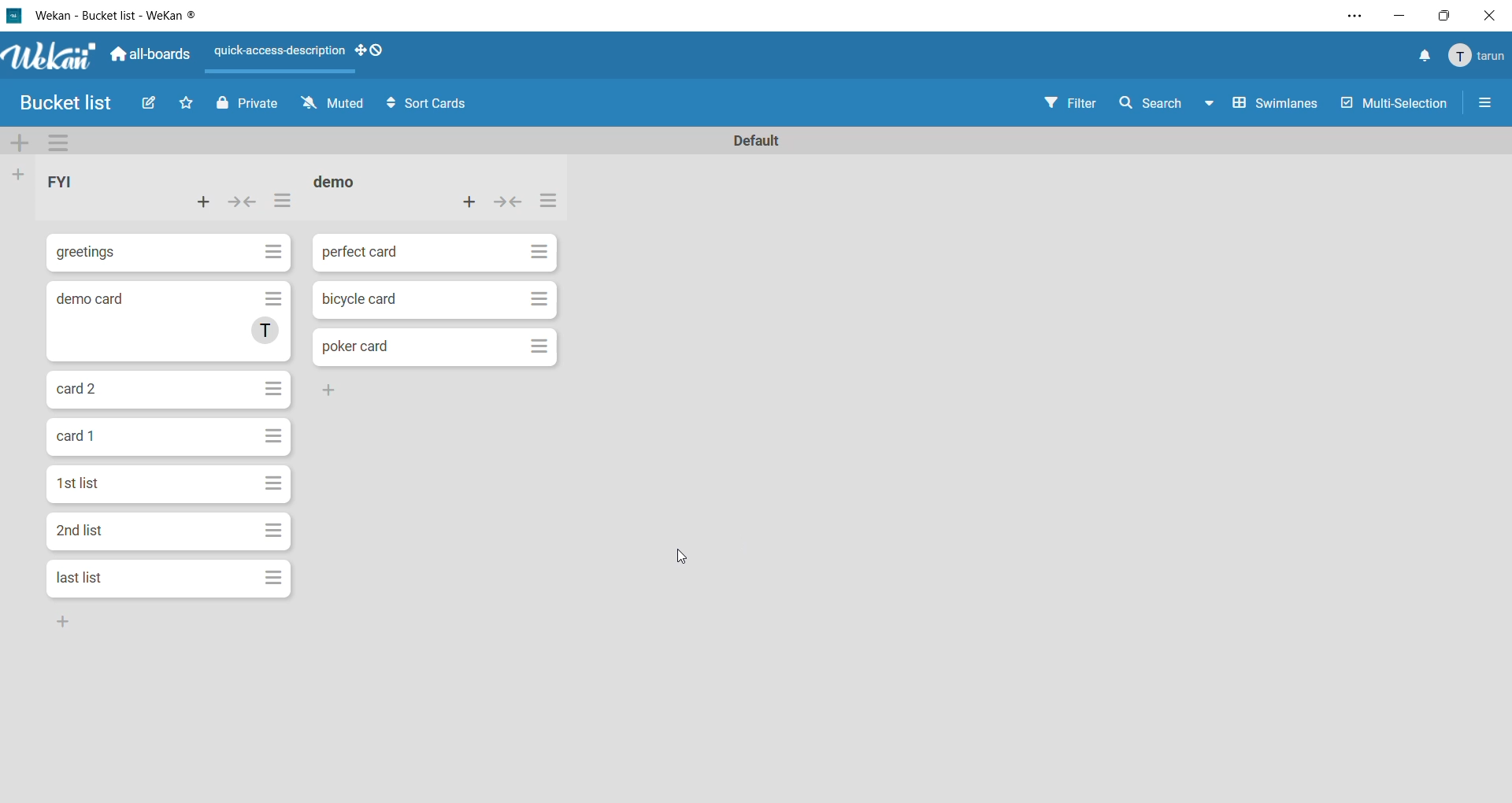  What do you see at coordinates (1477, 56) in the screenshot?
I see `tarun` at bounding box center [1477, 56].